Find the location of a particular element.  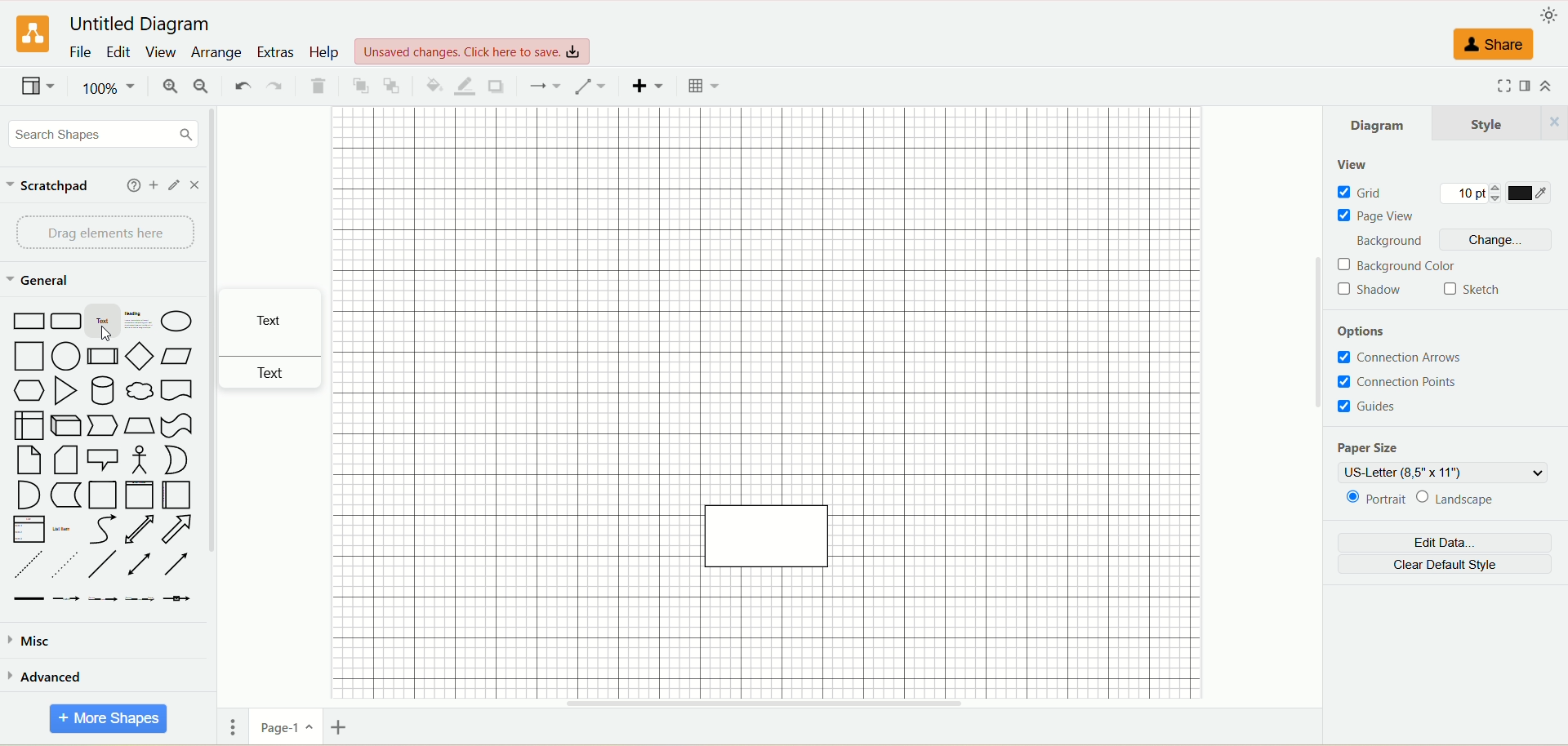

grid is located at coordinates (1386, 192).